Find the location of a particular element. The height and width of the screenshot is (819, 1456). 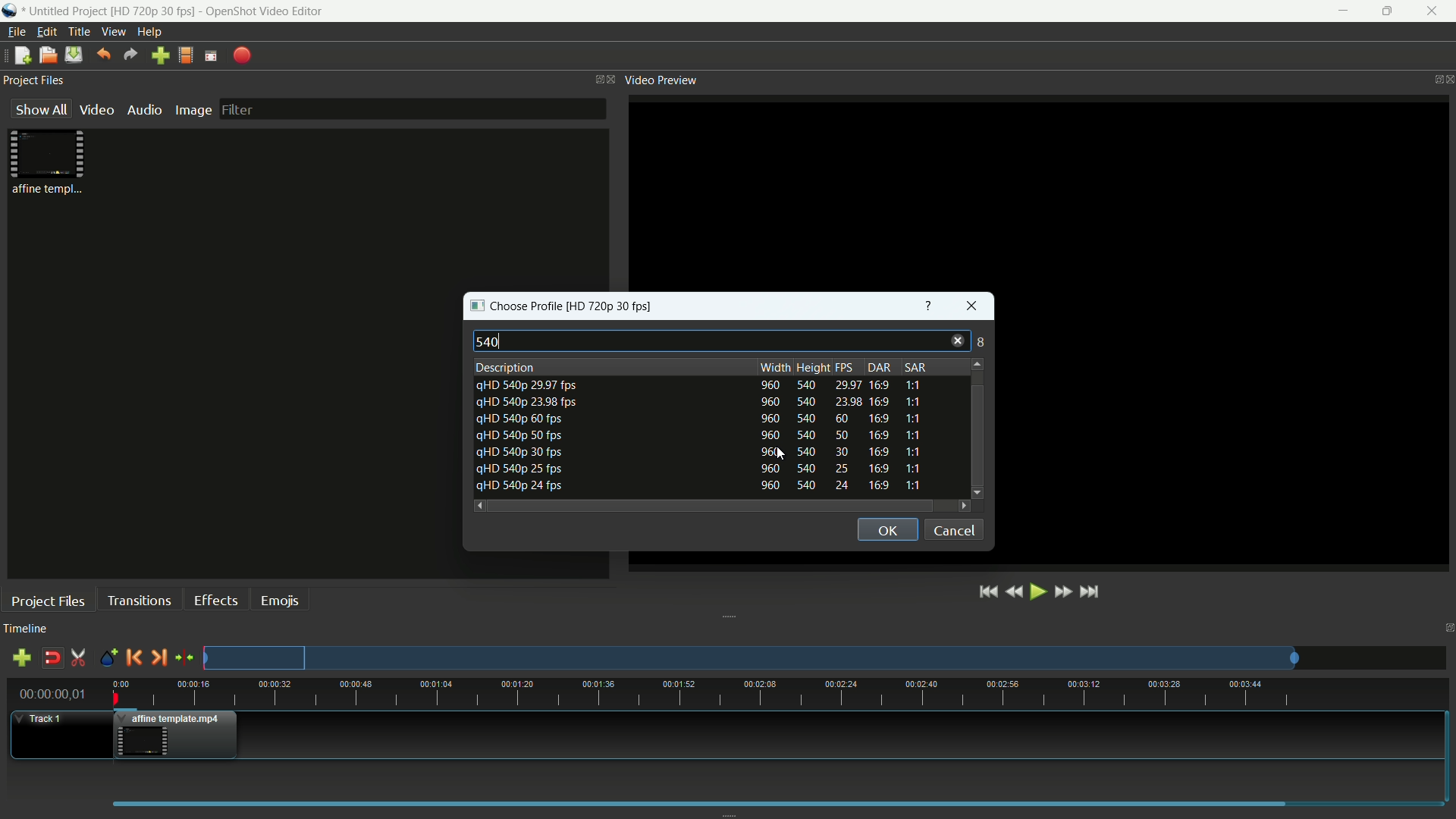

close app is located at coordinates (1436, 11).